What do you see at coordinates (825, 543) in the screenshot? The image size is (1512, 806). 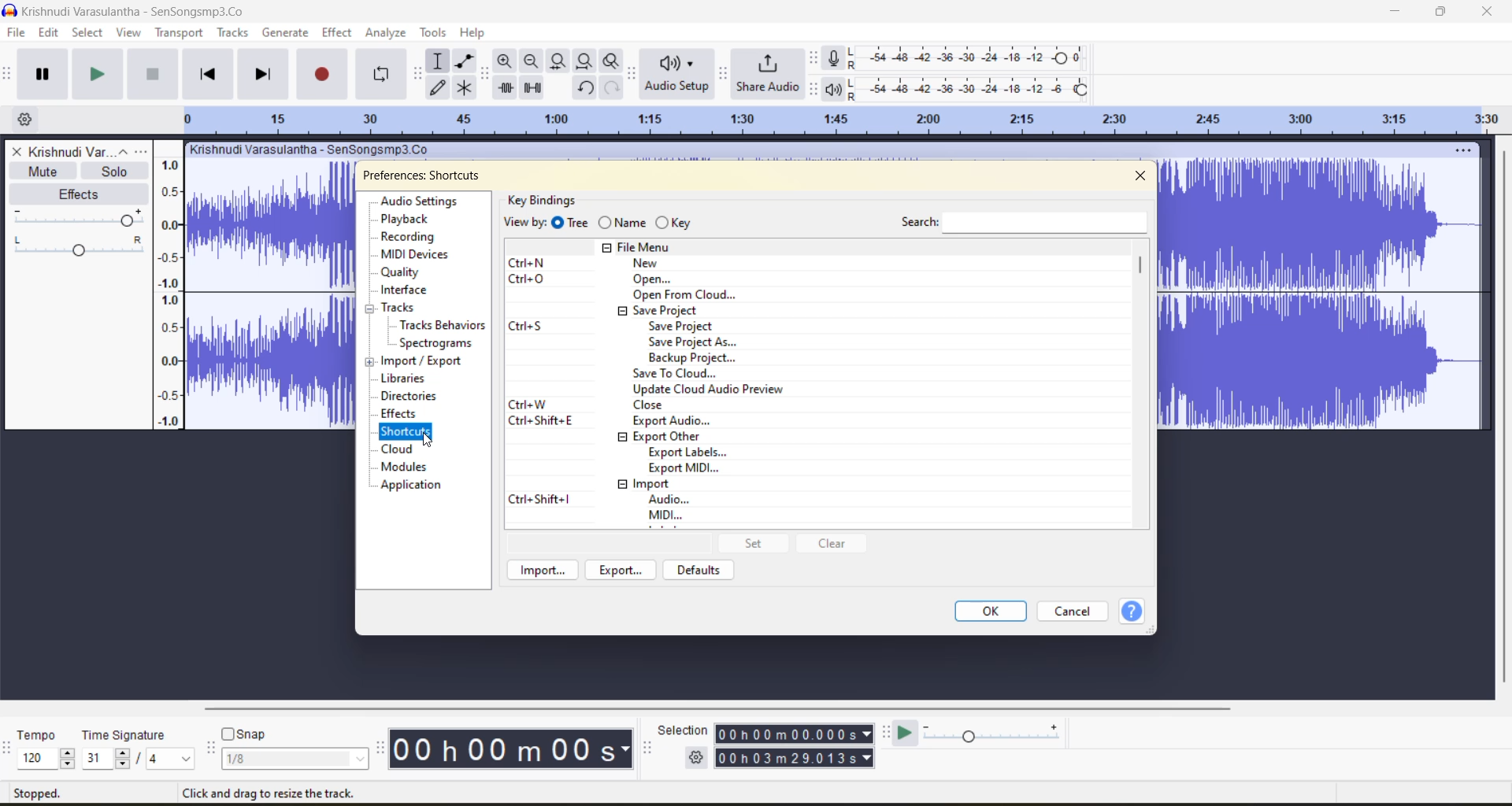 I see `clear` at bounding box center [825, 543].